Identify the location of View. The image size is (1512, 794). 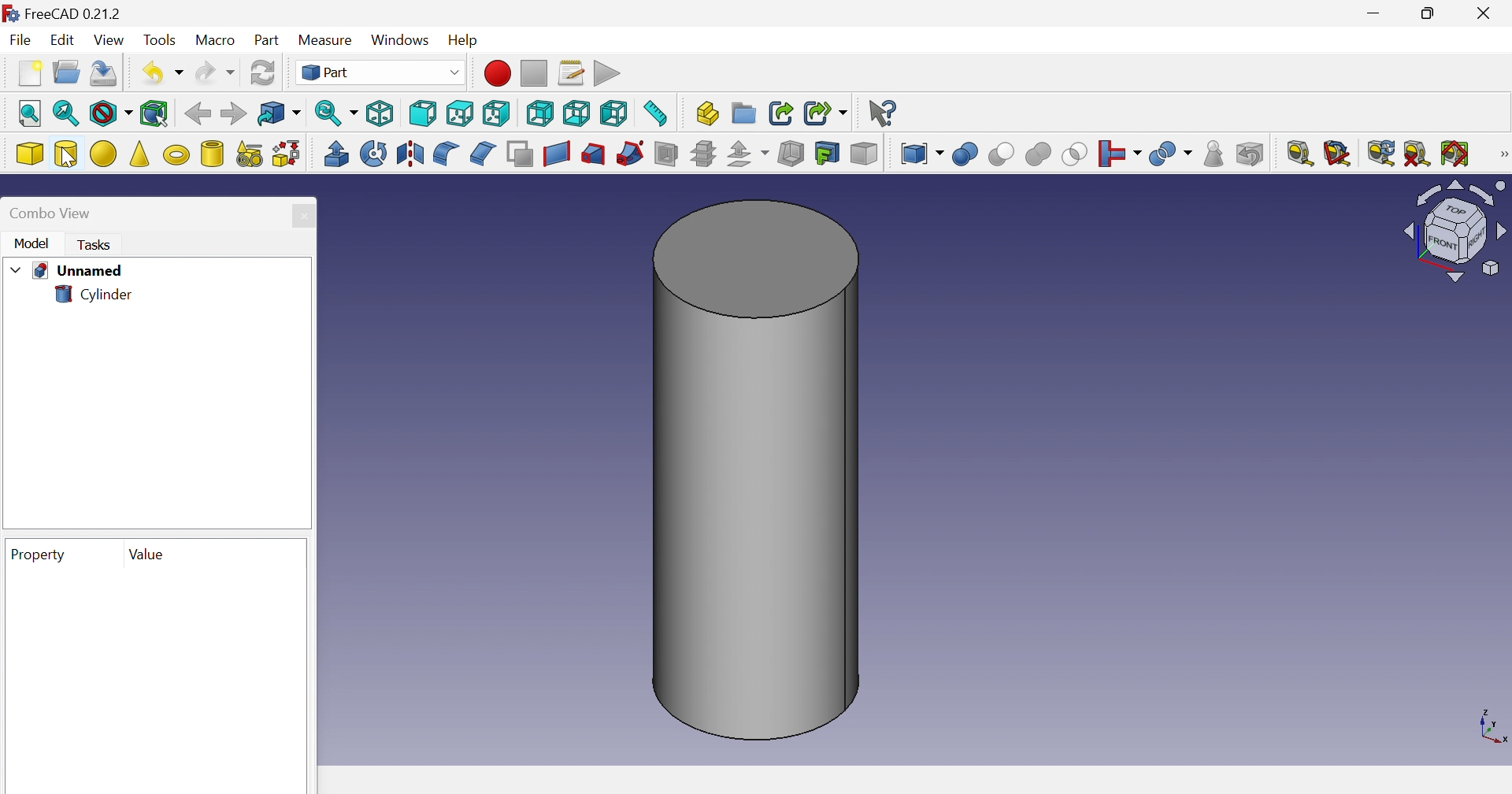
(112, 40).